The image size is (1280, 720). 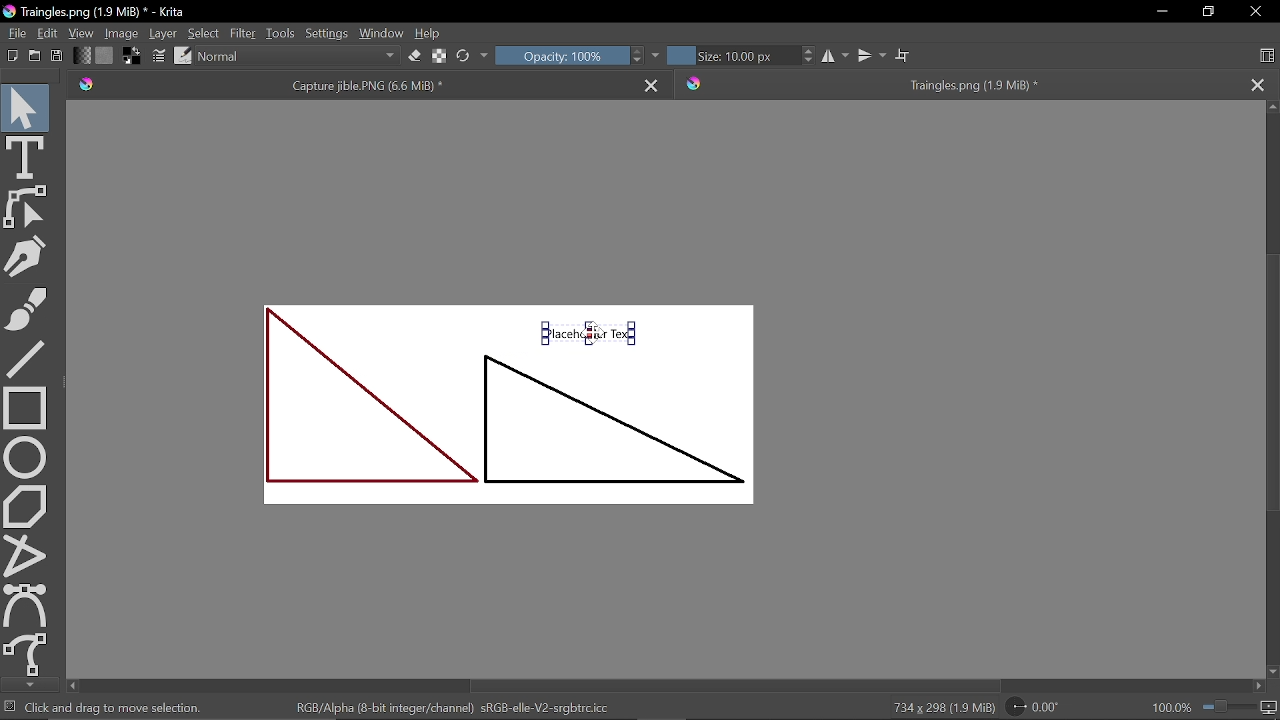 I want to click on Close, so click(x=1255, y=13).